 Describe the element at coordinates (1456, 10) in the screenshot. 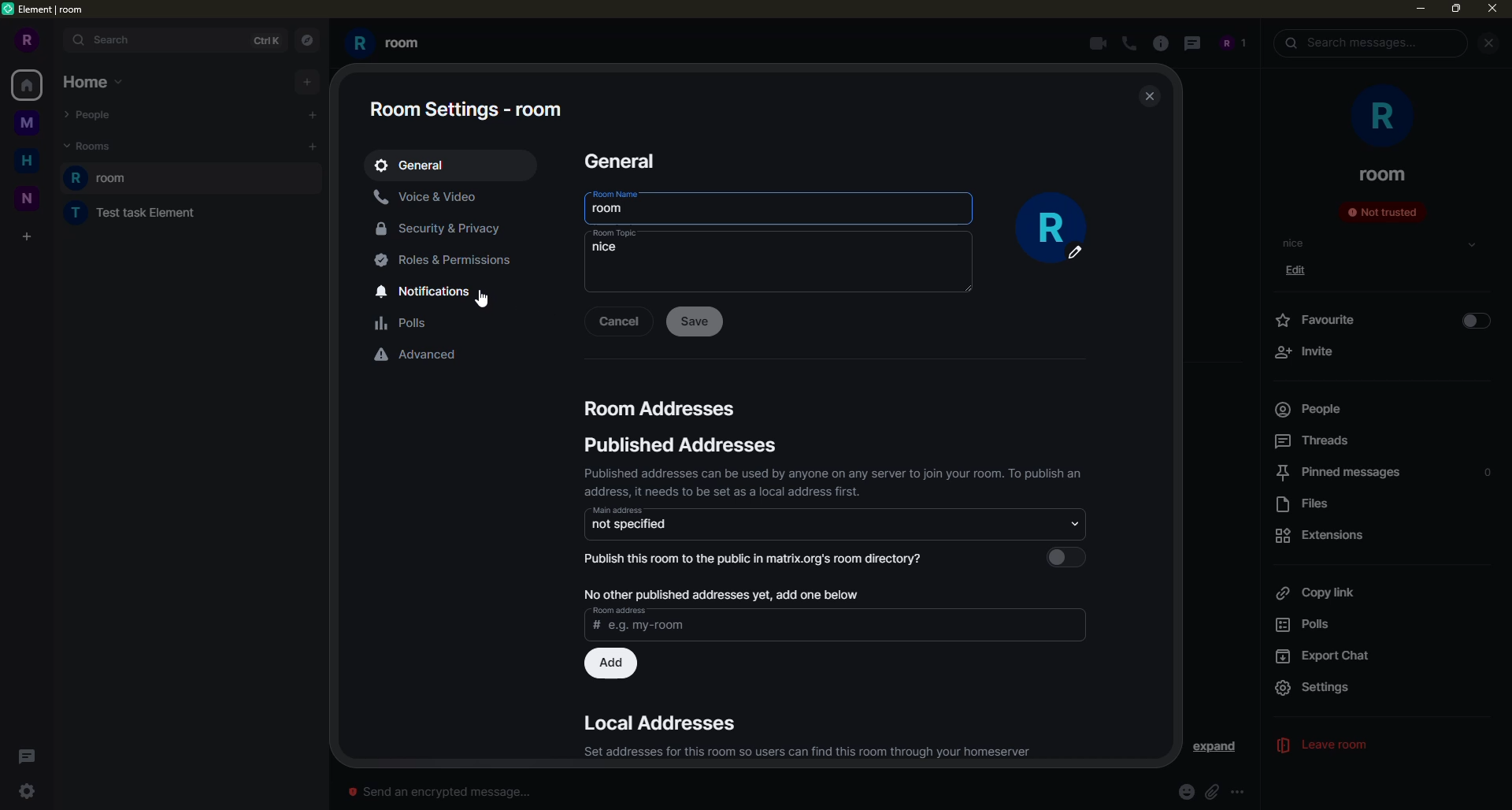

I see `maximize` at that location.